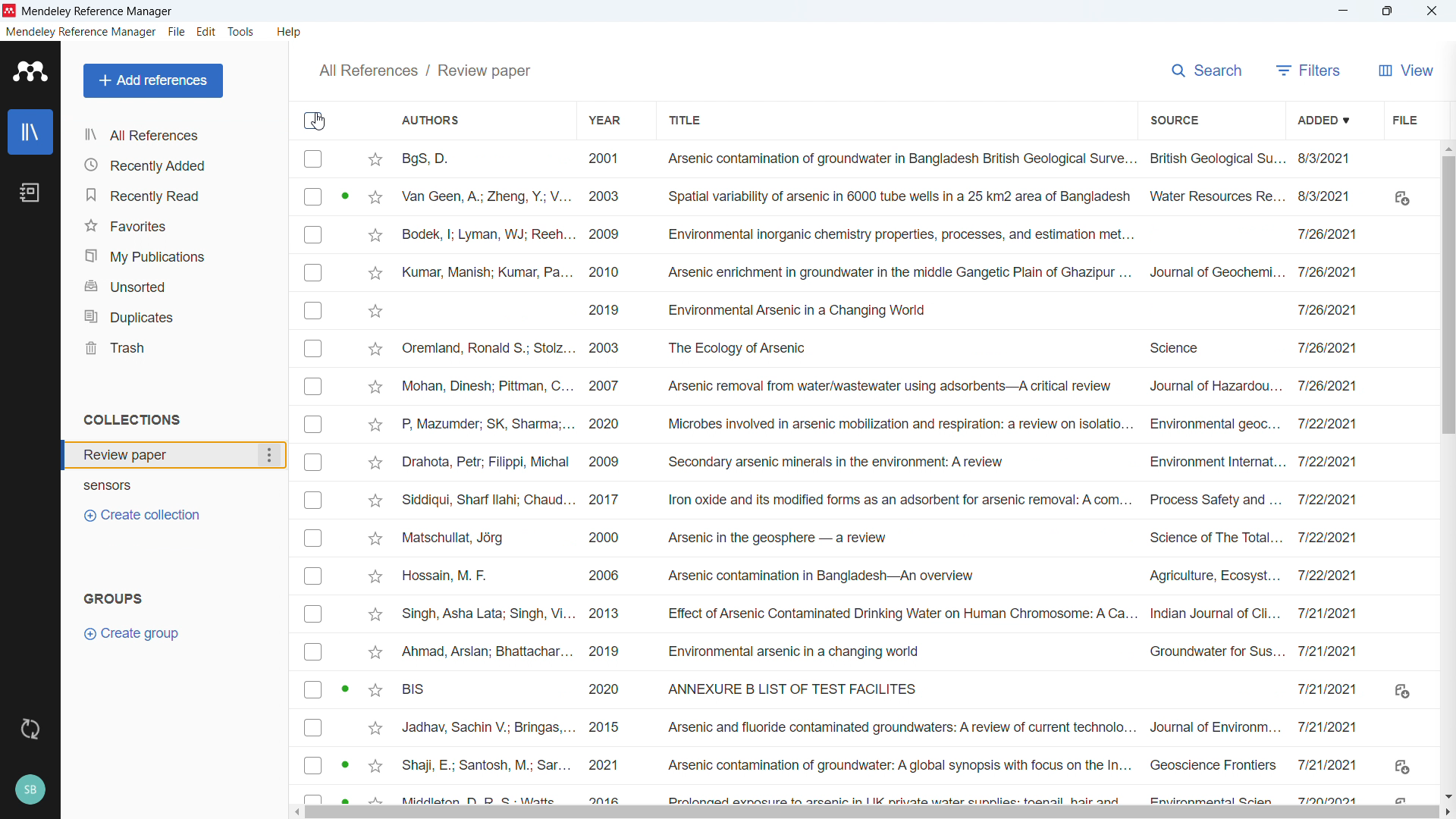 Image resolution: width=1456 pixels, height=819 pixels. I want to click on Groups , so click(114, 600).